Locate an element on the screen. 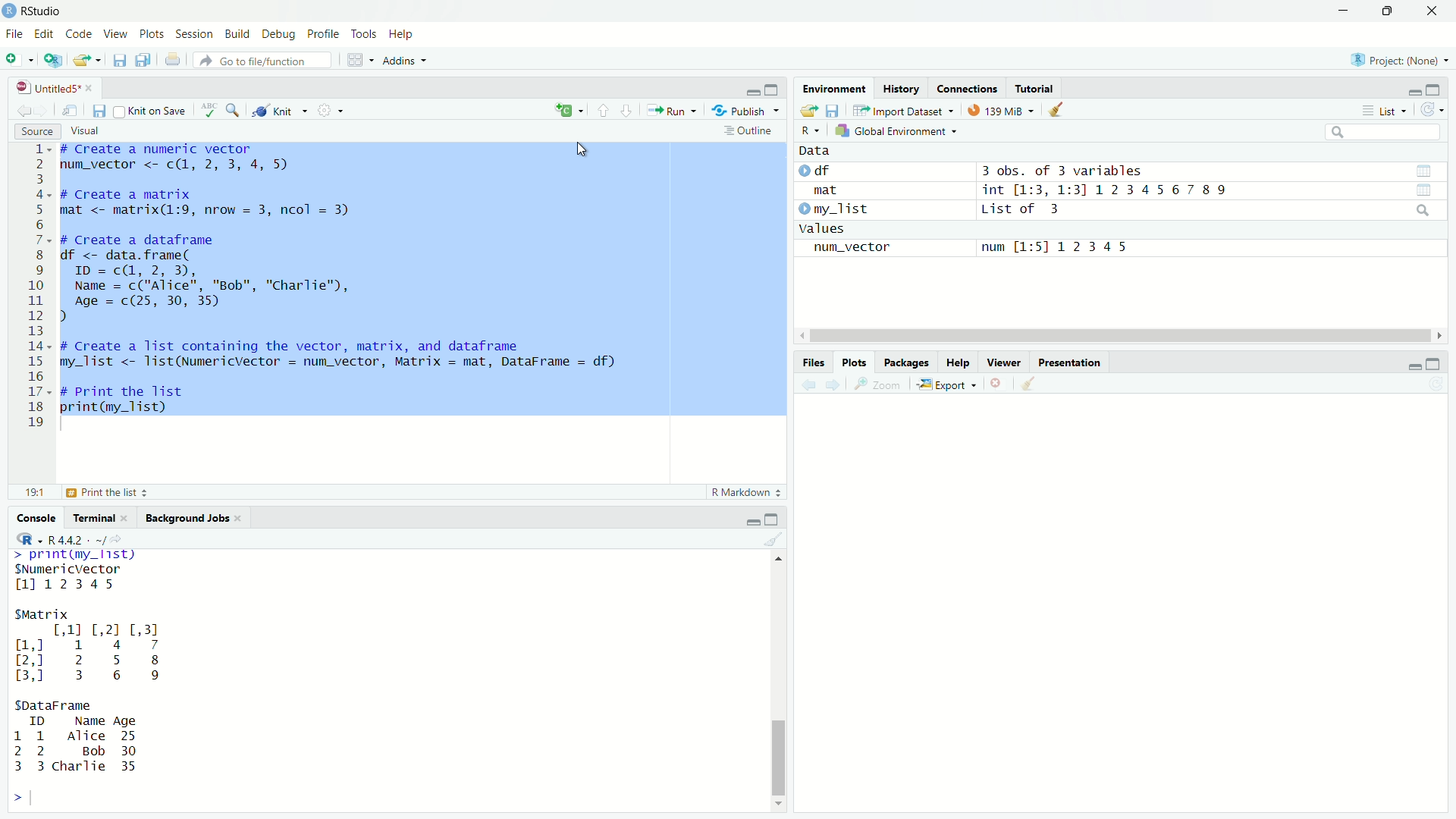  Outline is located at coordinates (749, 133).